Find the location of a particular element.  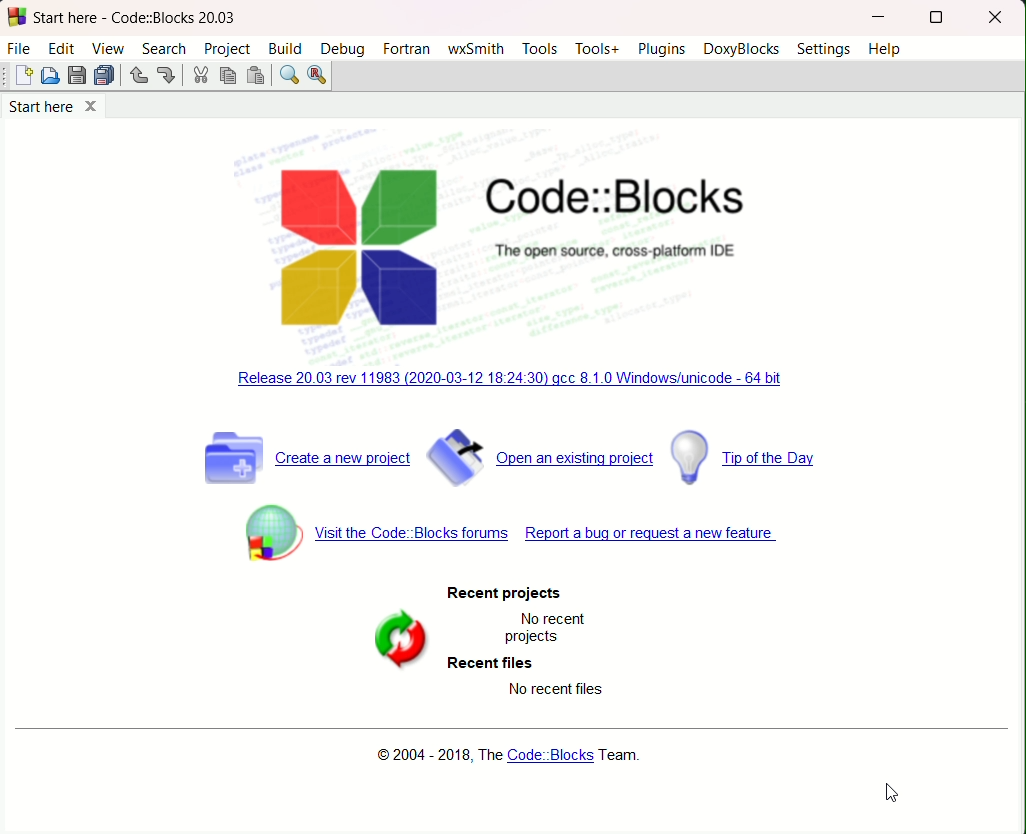

open existing is located at coordinates (544, 458).